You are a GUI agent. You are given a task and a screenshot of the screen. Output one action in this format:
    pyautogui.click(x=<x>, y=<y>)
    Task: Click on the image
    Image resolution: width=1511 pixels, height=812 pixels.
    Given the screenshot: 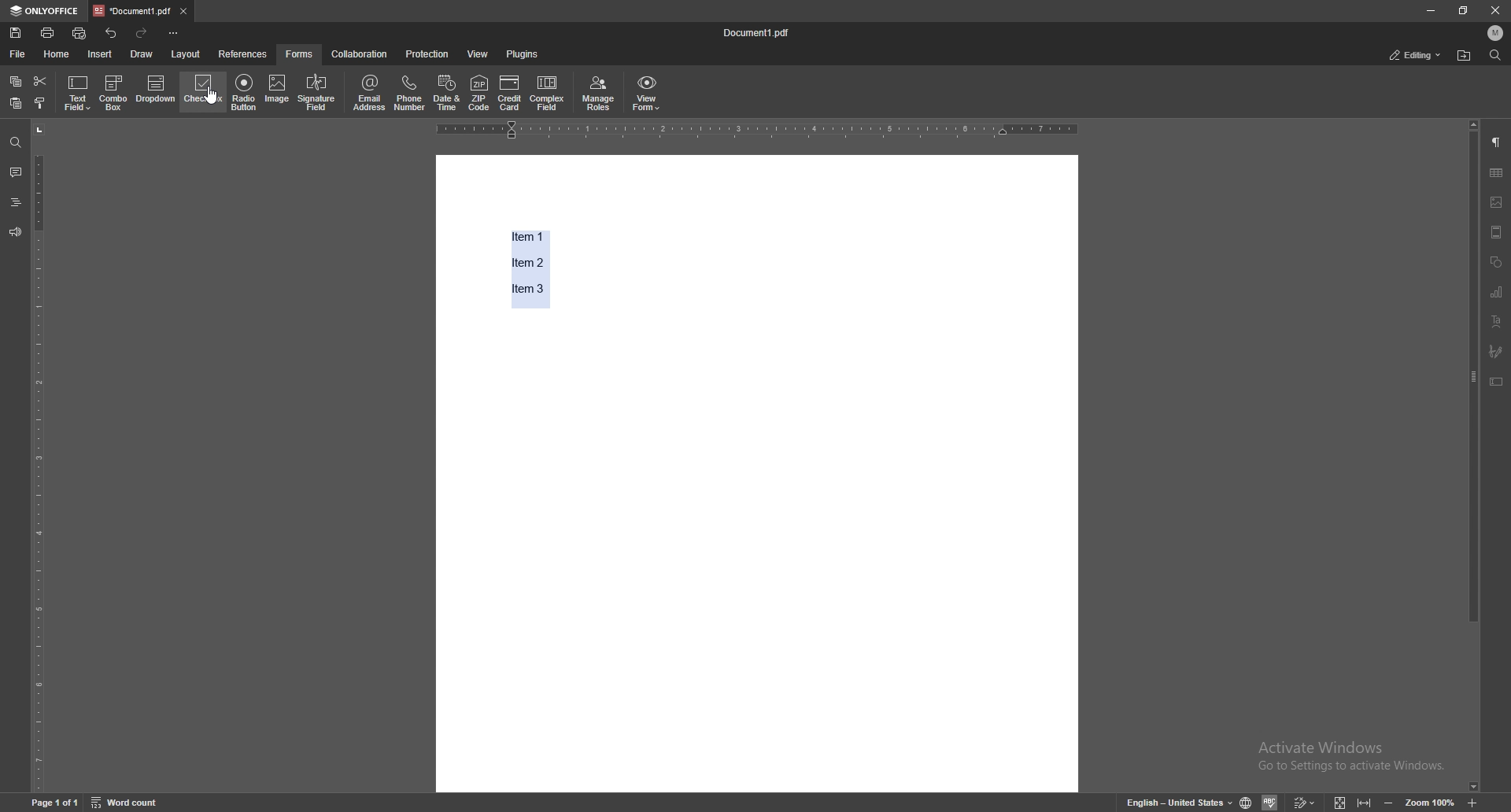 What is the action you would take?
    pyautogui.click(x=278, y=91)
    